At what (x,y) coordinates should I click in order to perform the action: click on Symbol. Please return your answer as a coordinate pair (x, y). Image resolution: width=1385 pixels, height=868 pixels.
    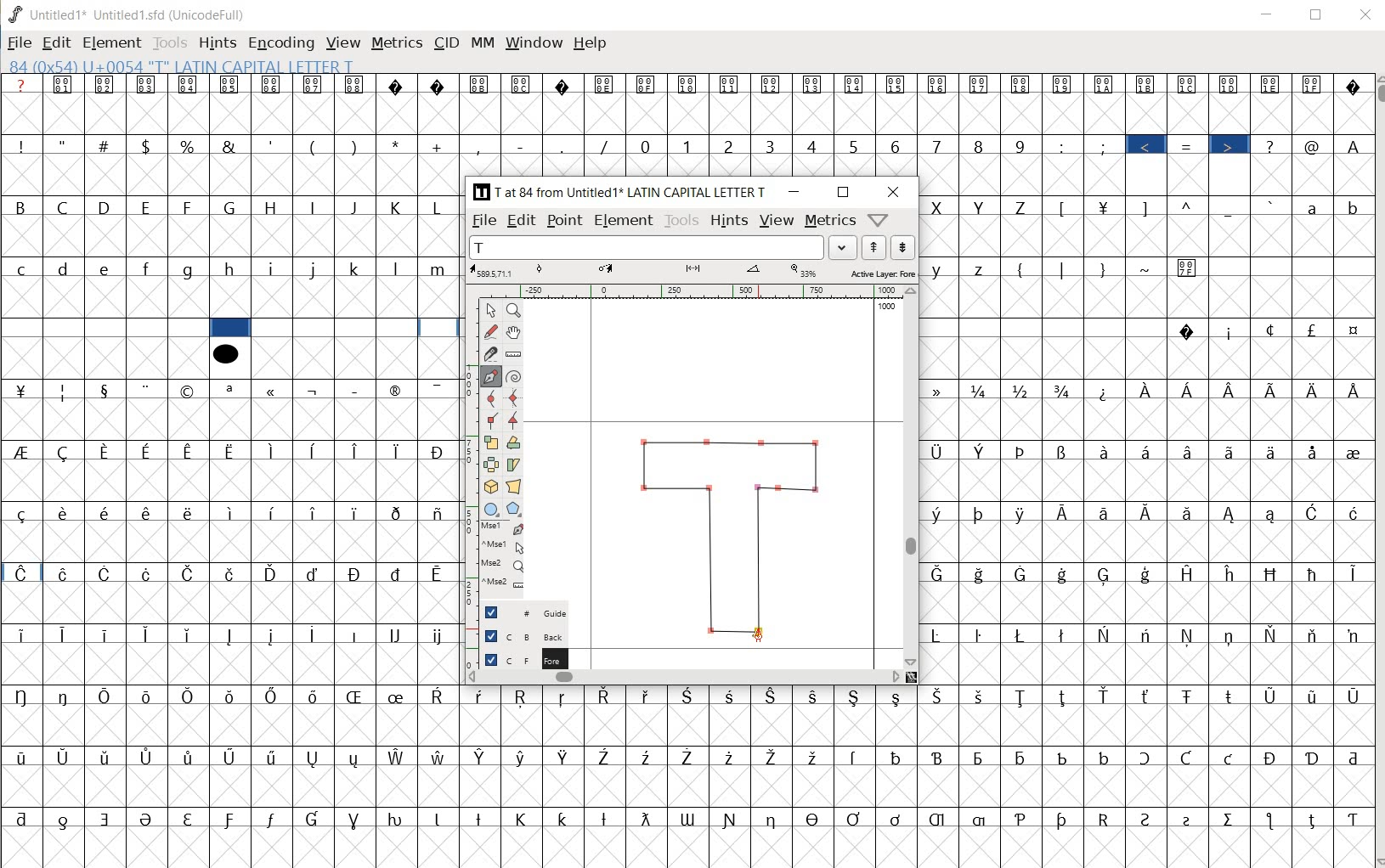
    Looking at the image, I should click on (522, 698).